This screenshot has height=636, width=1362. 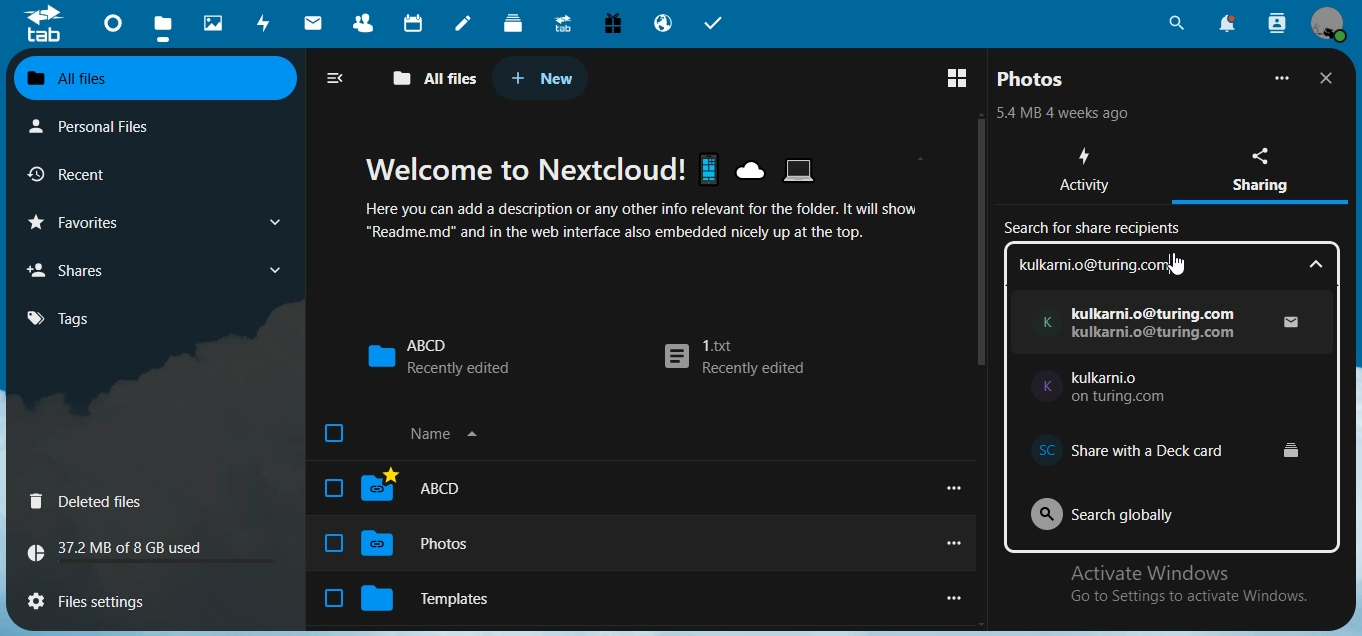 I want to click on check box, so click(x=335, y=434).